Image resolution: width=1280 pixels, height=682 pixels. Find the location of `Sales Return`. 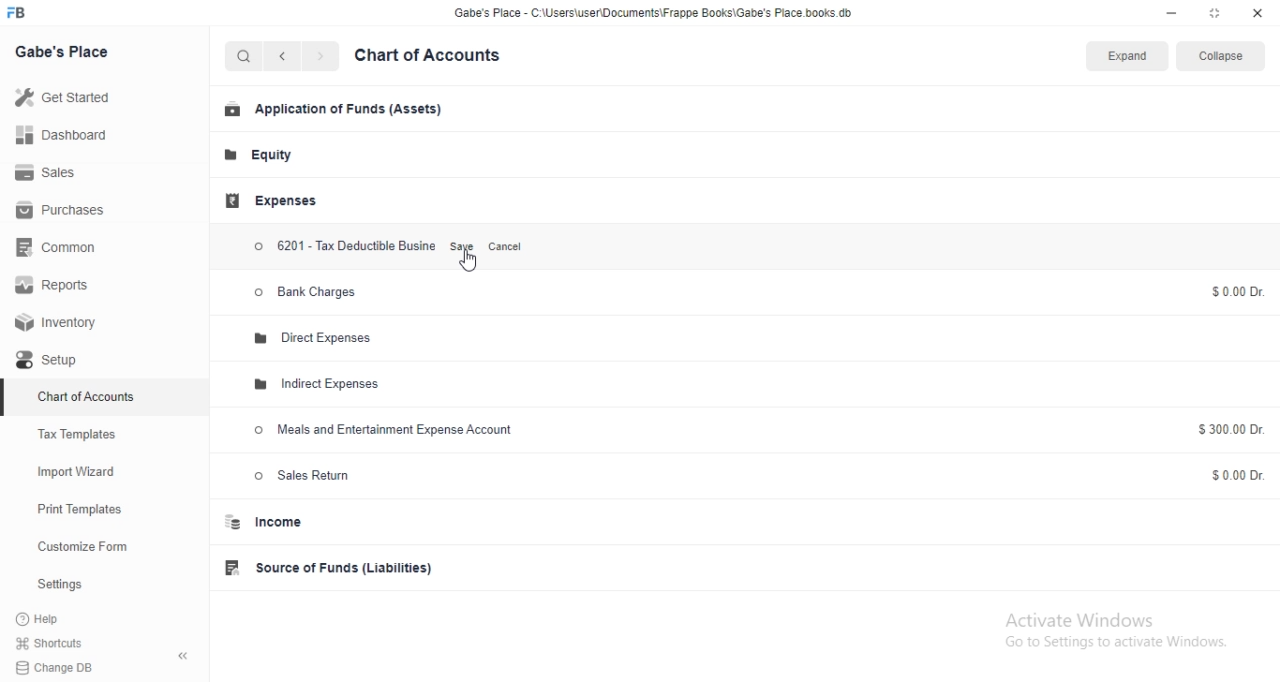

Sales Return is located at coordinates (304, 475).